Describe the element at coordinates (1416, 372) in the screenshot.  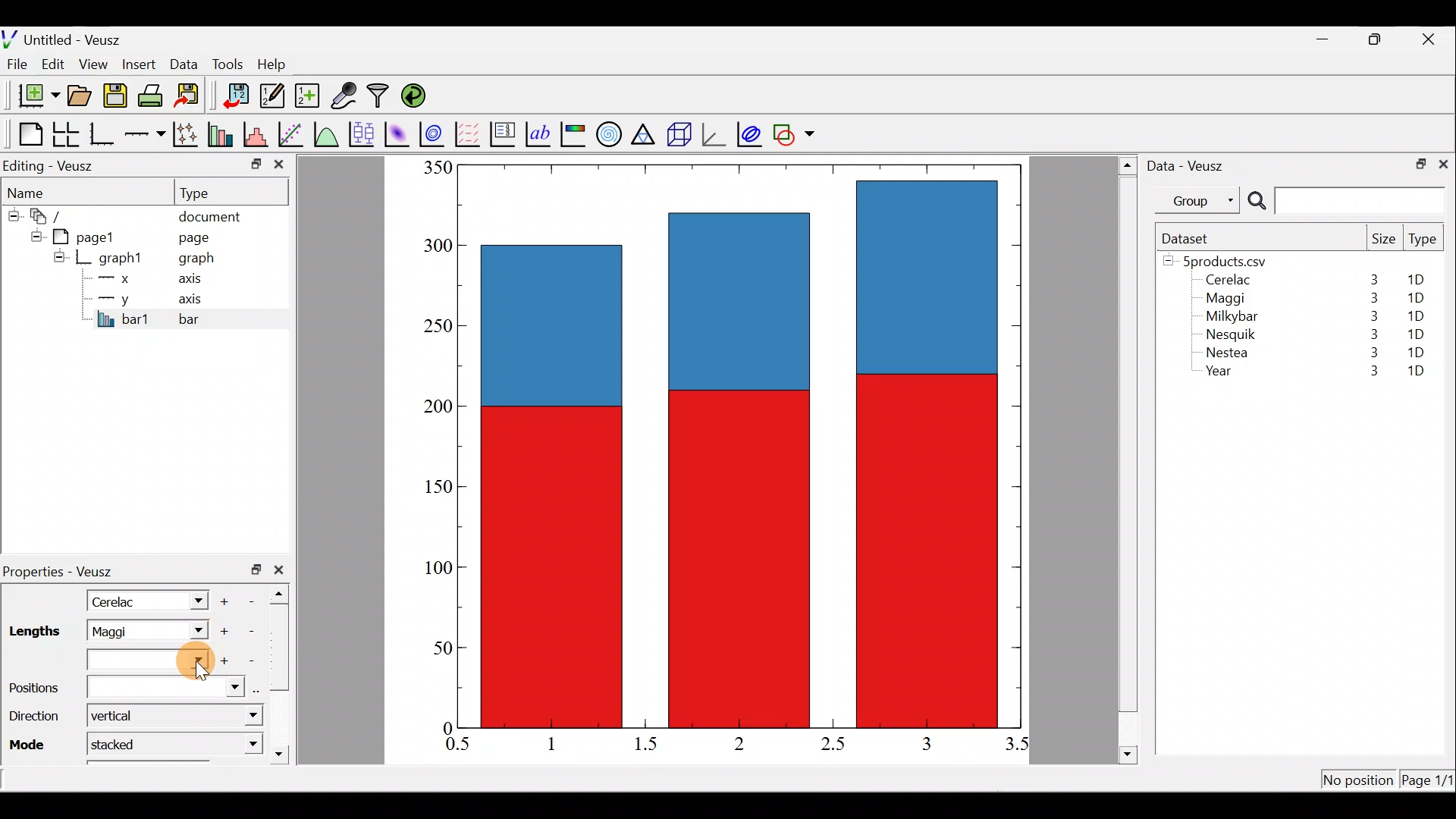
I see `1D` at that location.